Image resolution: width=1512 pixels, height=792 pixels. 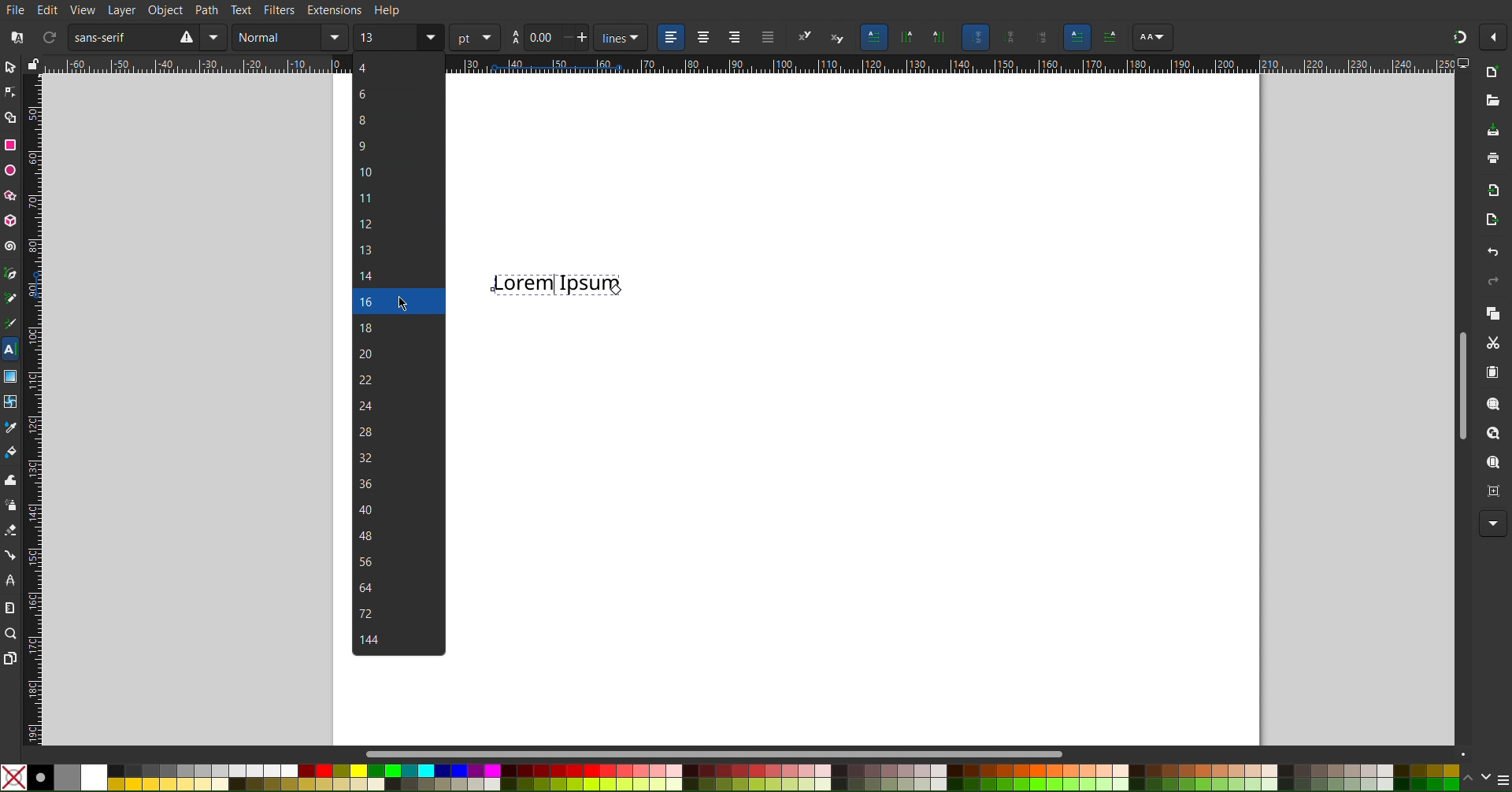 I want to click on size, so click(x=386, y=37).